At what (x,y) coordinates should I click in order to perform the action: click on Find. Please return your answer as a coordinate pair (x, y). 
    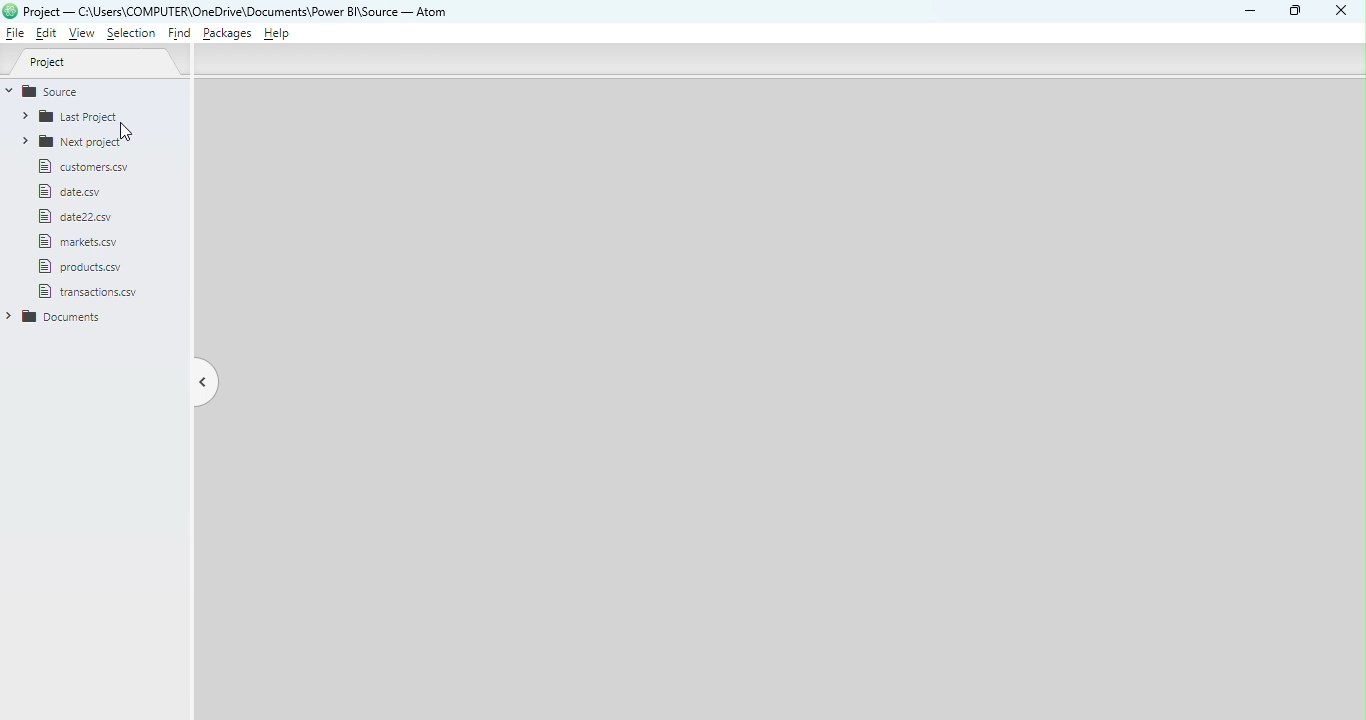
    Looking at the image, I should click on (179, 35).